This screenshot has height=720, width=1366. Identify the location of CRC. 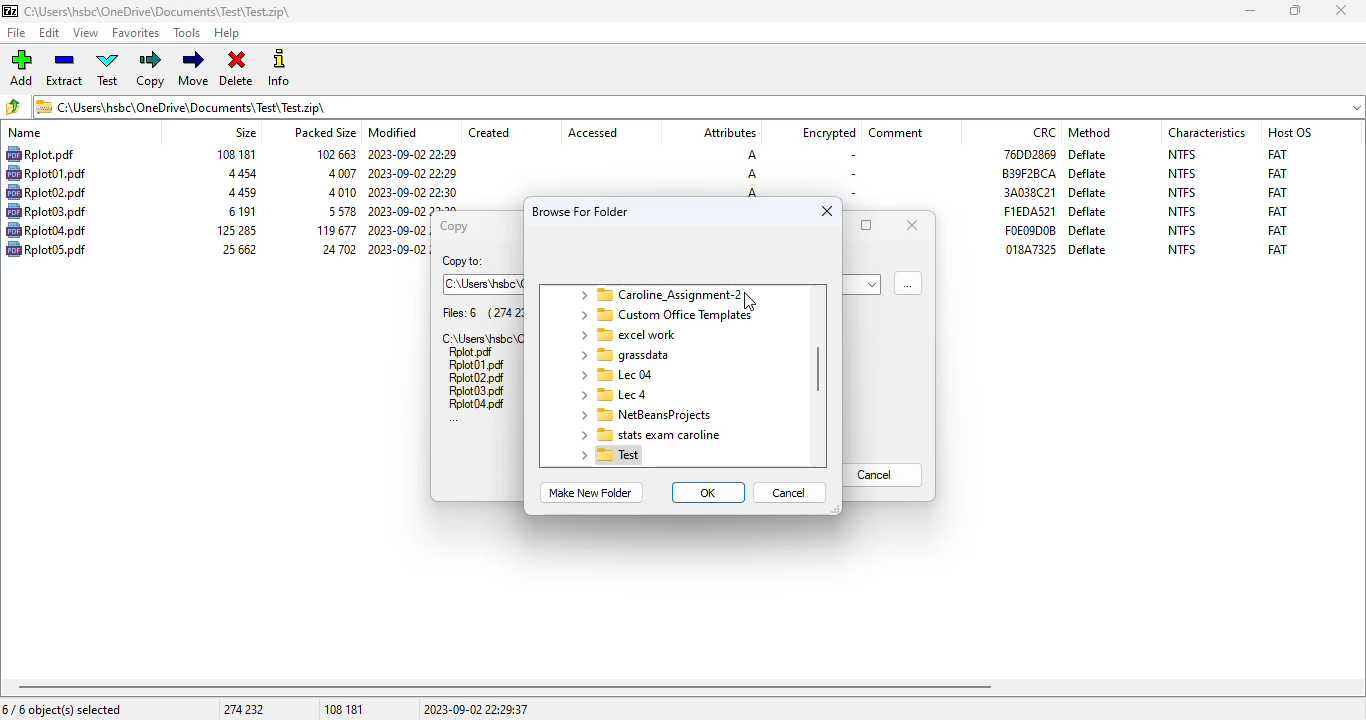
(1029, 173).